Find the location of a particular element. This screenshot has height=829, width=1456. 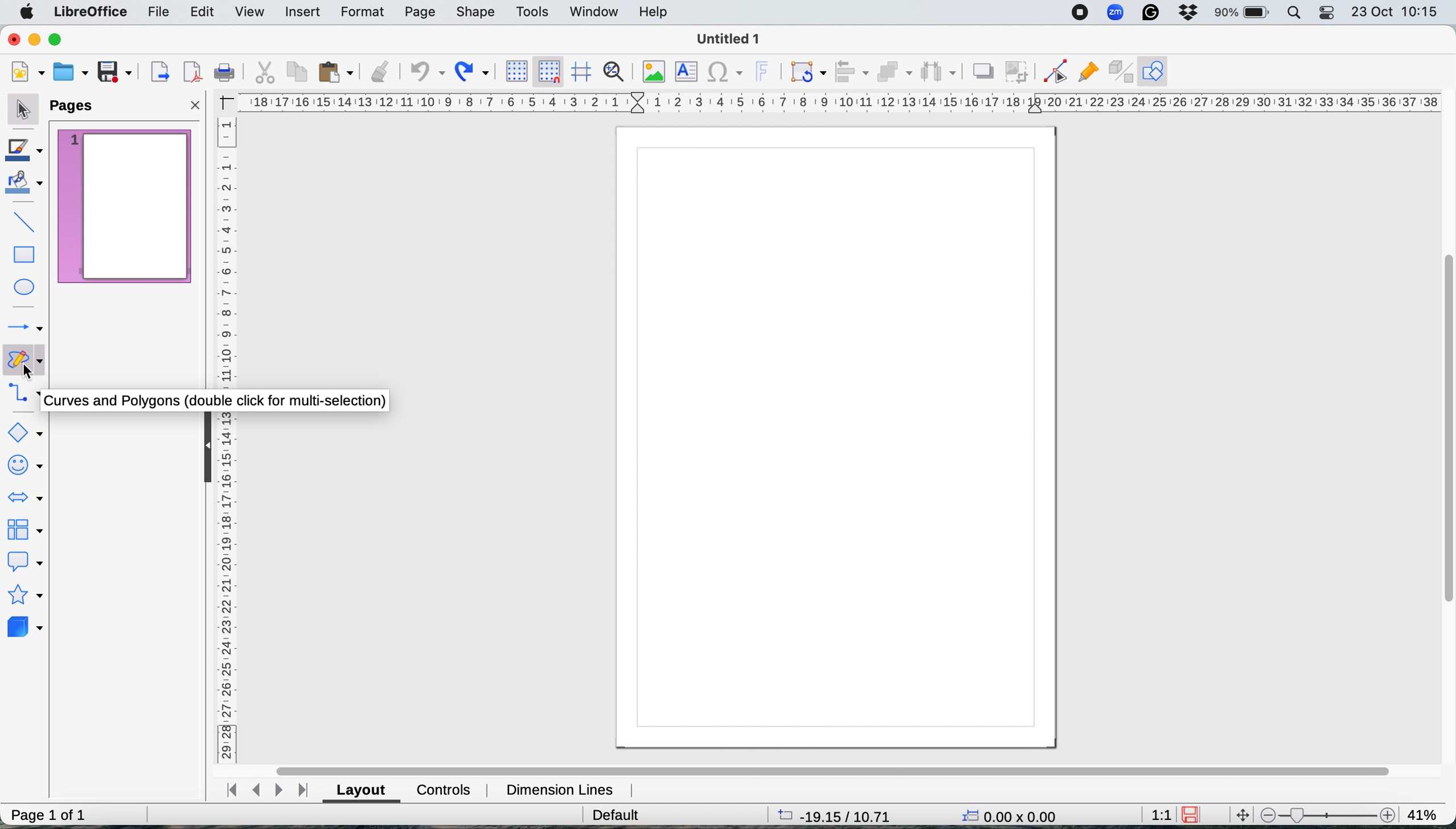

rectangle is located at coordinates (25, 254).